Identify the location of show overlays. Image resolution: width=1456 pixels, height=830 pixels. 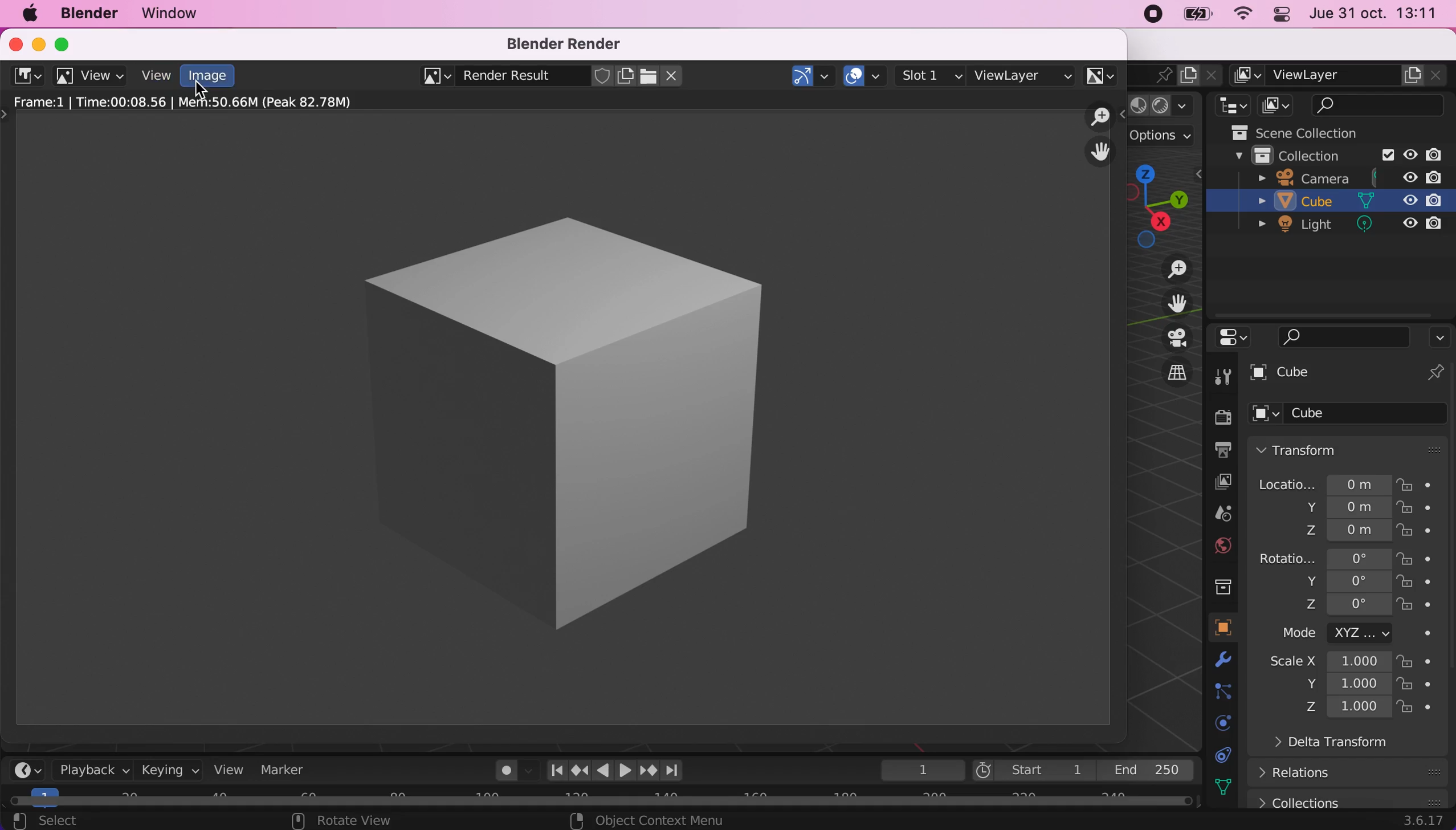
(866, 74).